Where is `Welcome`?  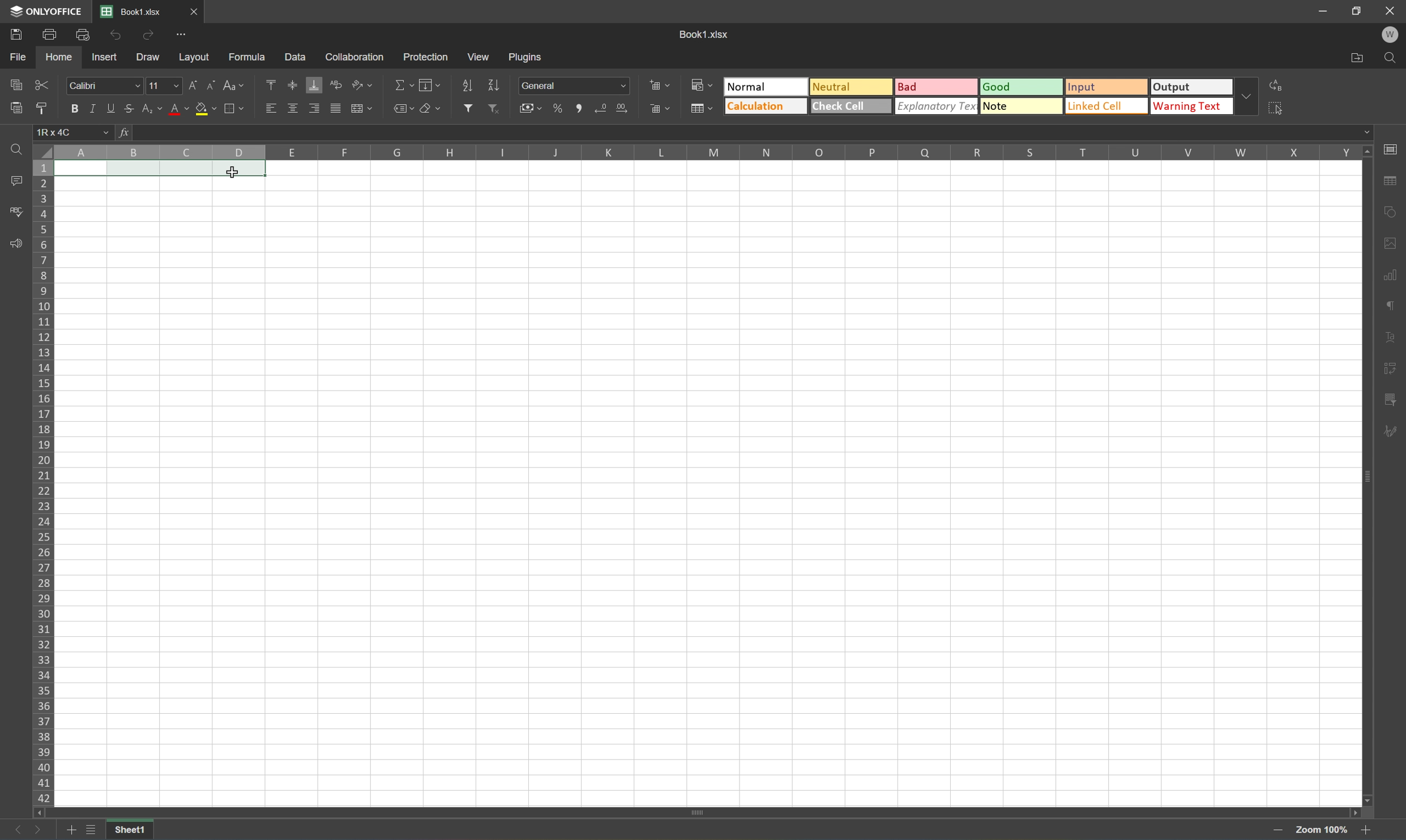
Welcome is located at coordinates (1394, 36).